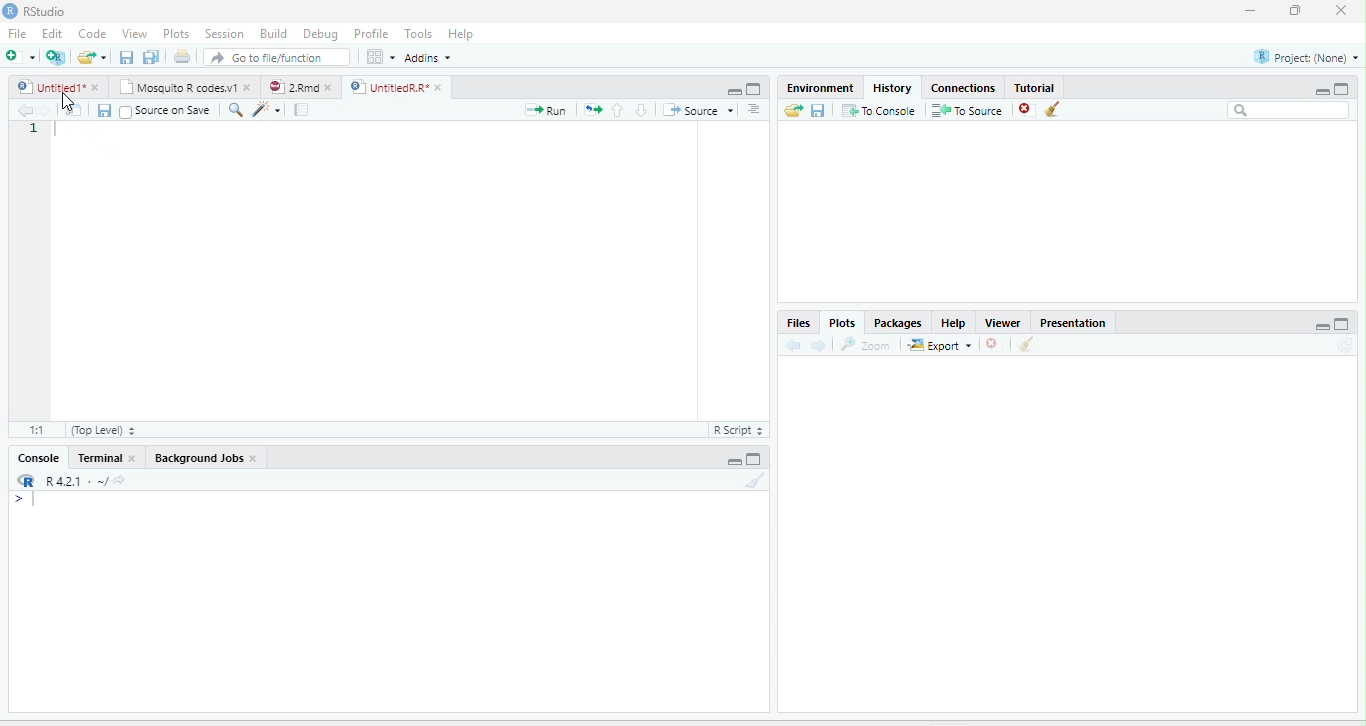 This screenshot has width=1366, height=726. Describe the element at coordinates (76, 479) in the screenshot. I see `R 4.2.1 . ~/` at that location.